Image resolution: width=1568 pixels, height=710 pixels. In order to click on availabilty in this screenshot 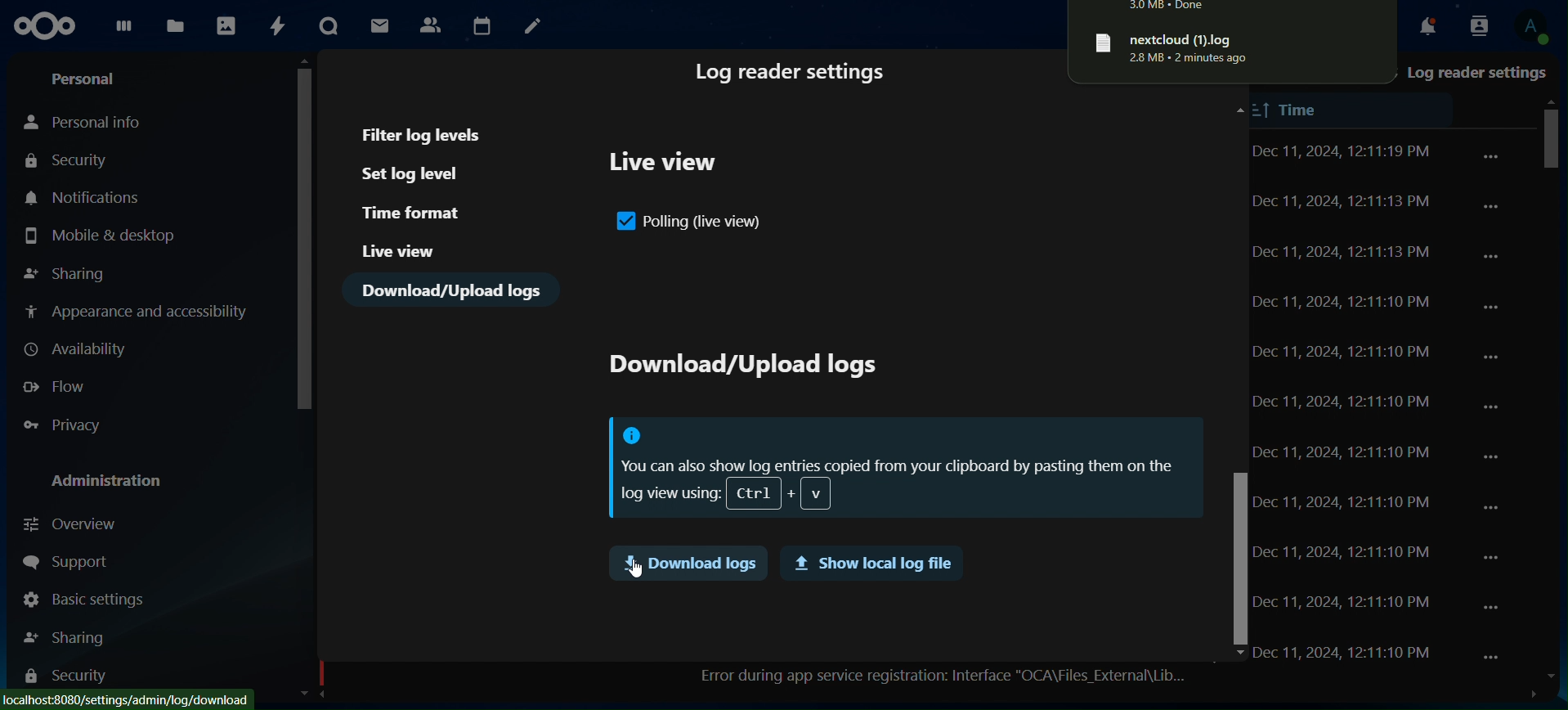, I will do `click(80, 349)`.